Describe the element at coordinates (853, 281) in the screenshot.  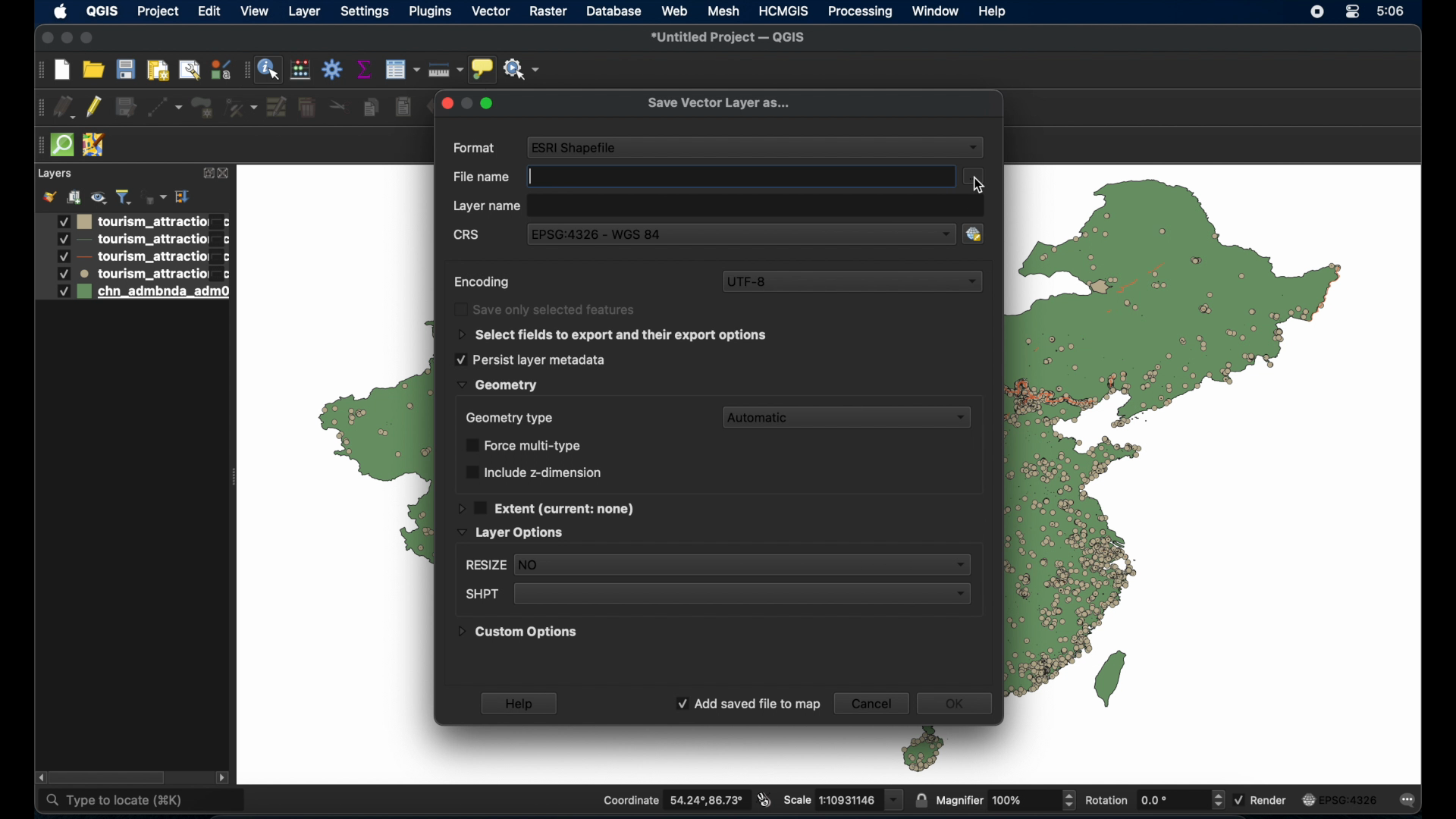
I see `UTF-8` at that location.